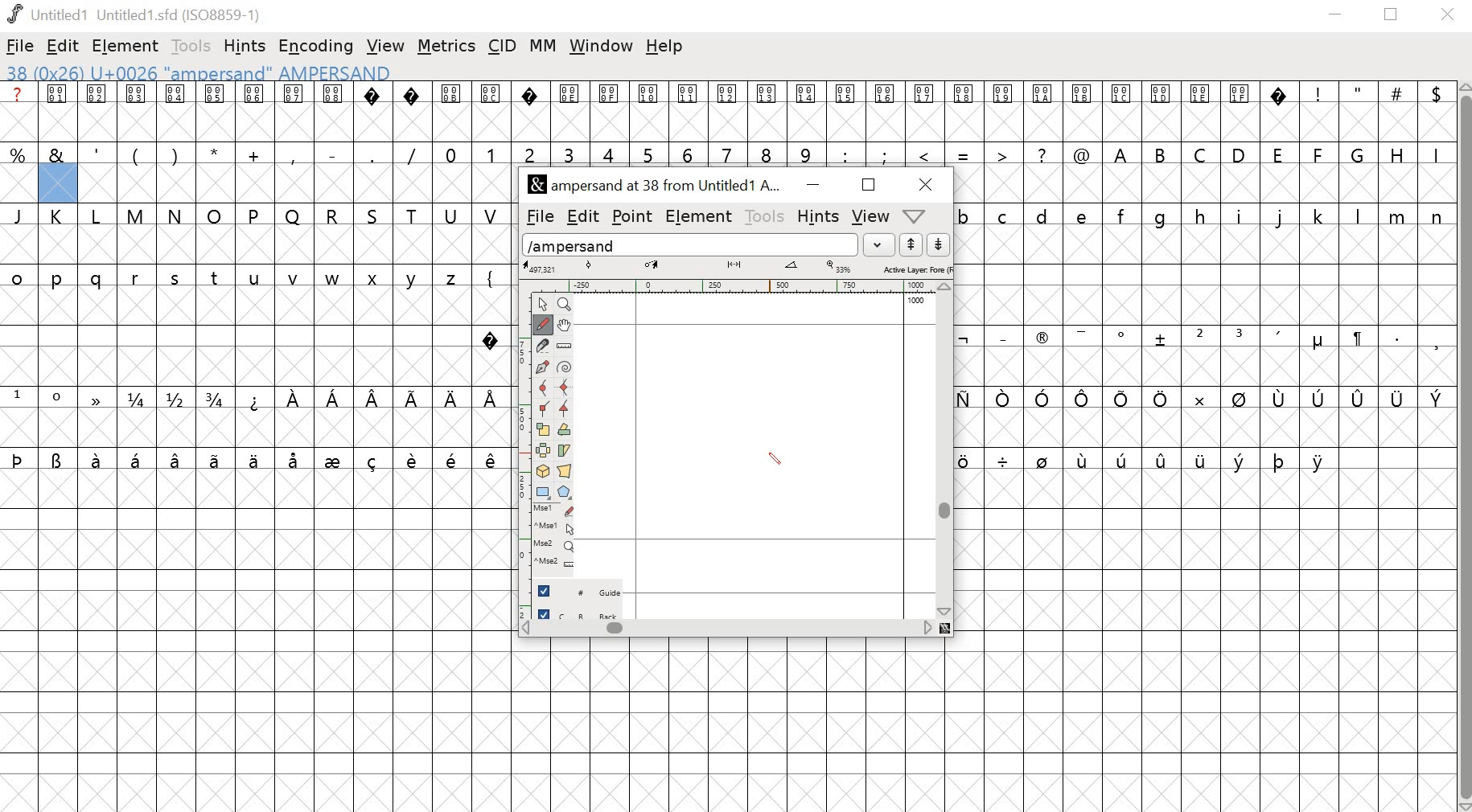 The height and width of the screenshot is (812, 1472). Describe the element at coordinates (530, 112) in the screenshot. I see `?` at that location.